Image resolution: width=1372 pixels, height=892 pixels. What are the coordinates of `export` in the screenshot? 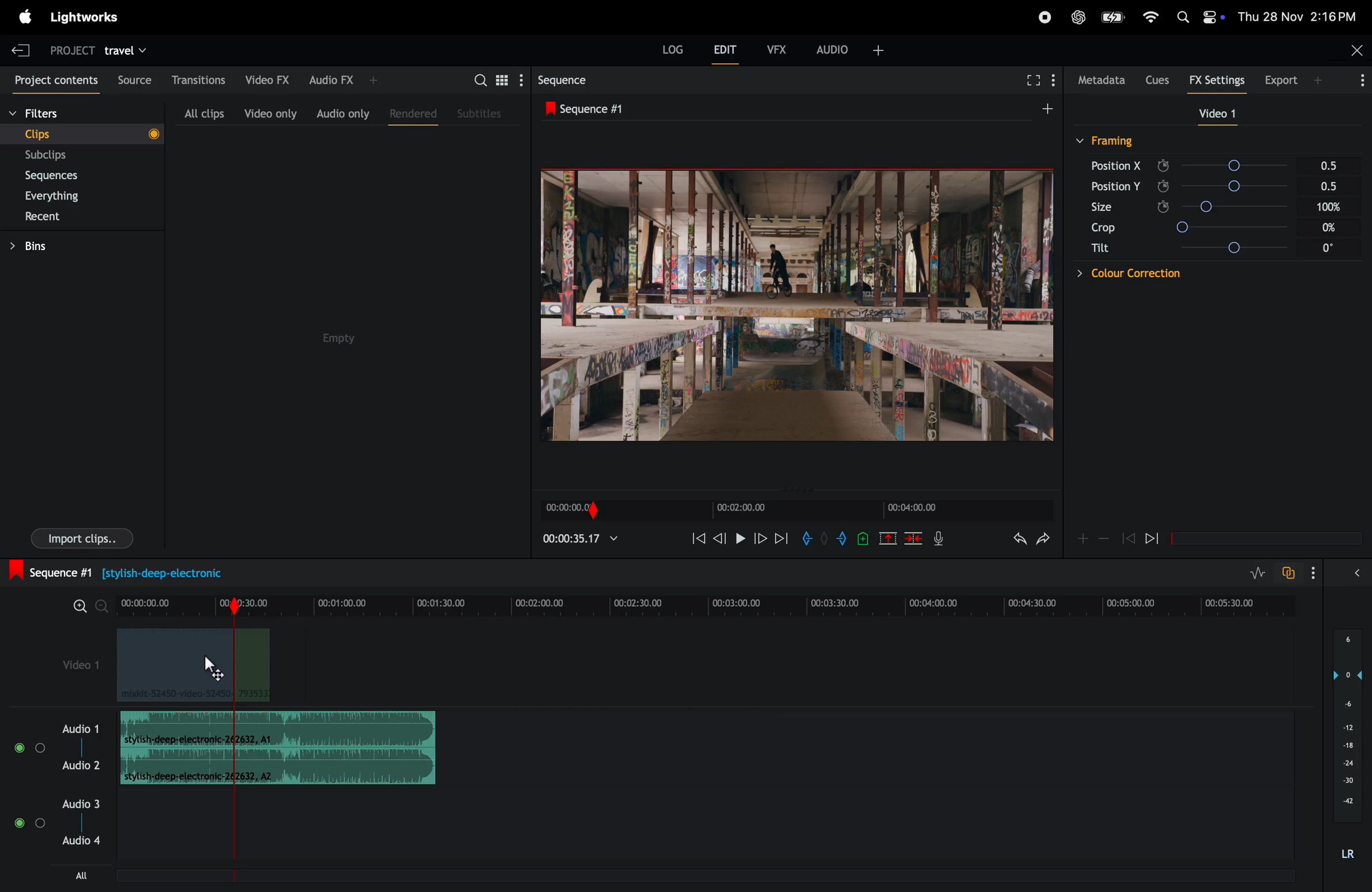 It's located at (1289, 79).